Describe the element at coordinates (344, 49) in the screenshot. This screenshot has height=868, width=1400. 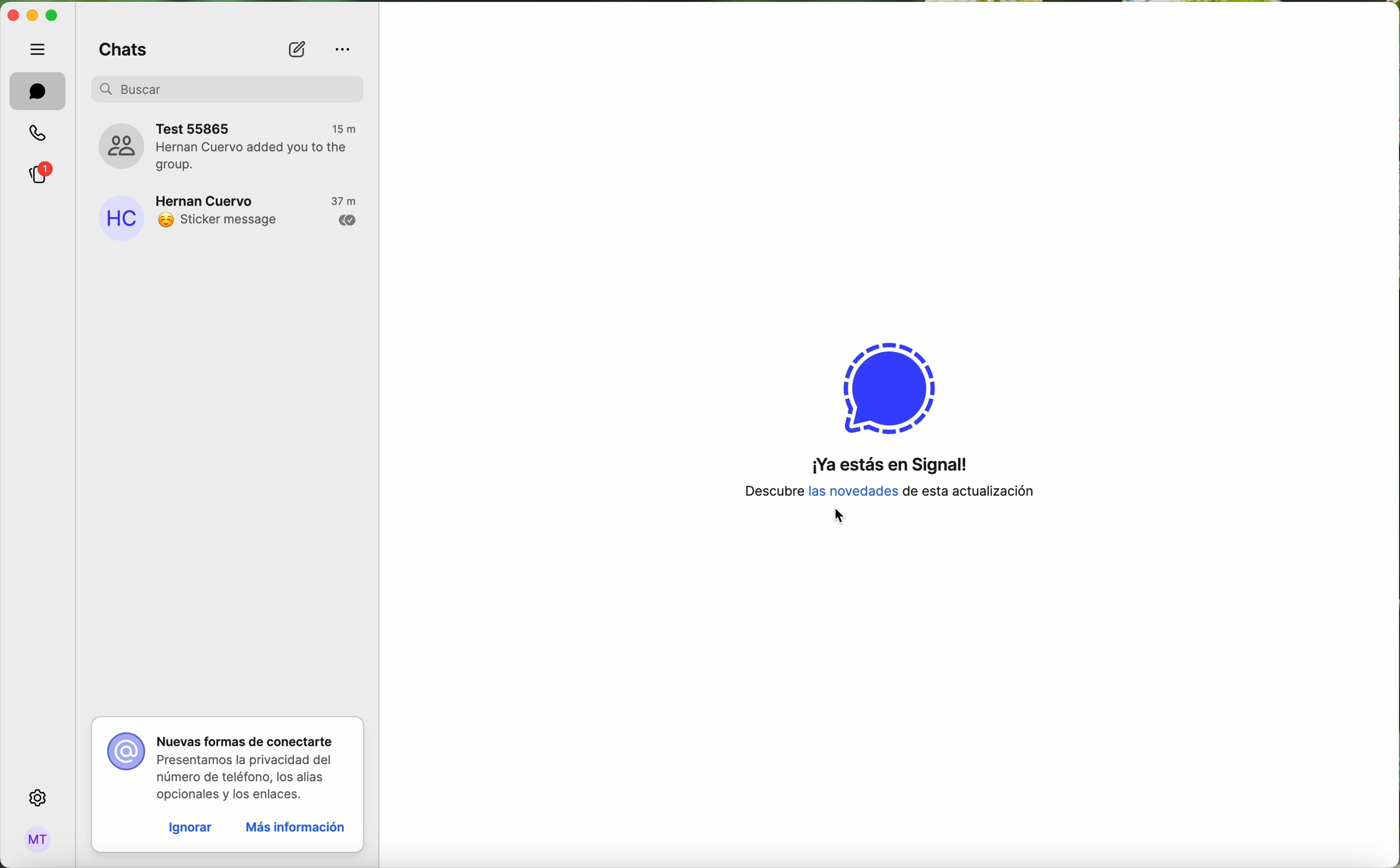
I see `more options` at that location.